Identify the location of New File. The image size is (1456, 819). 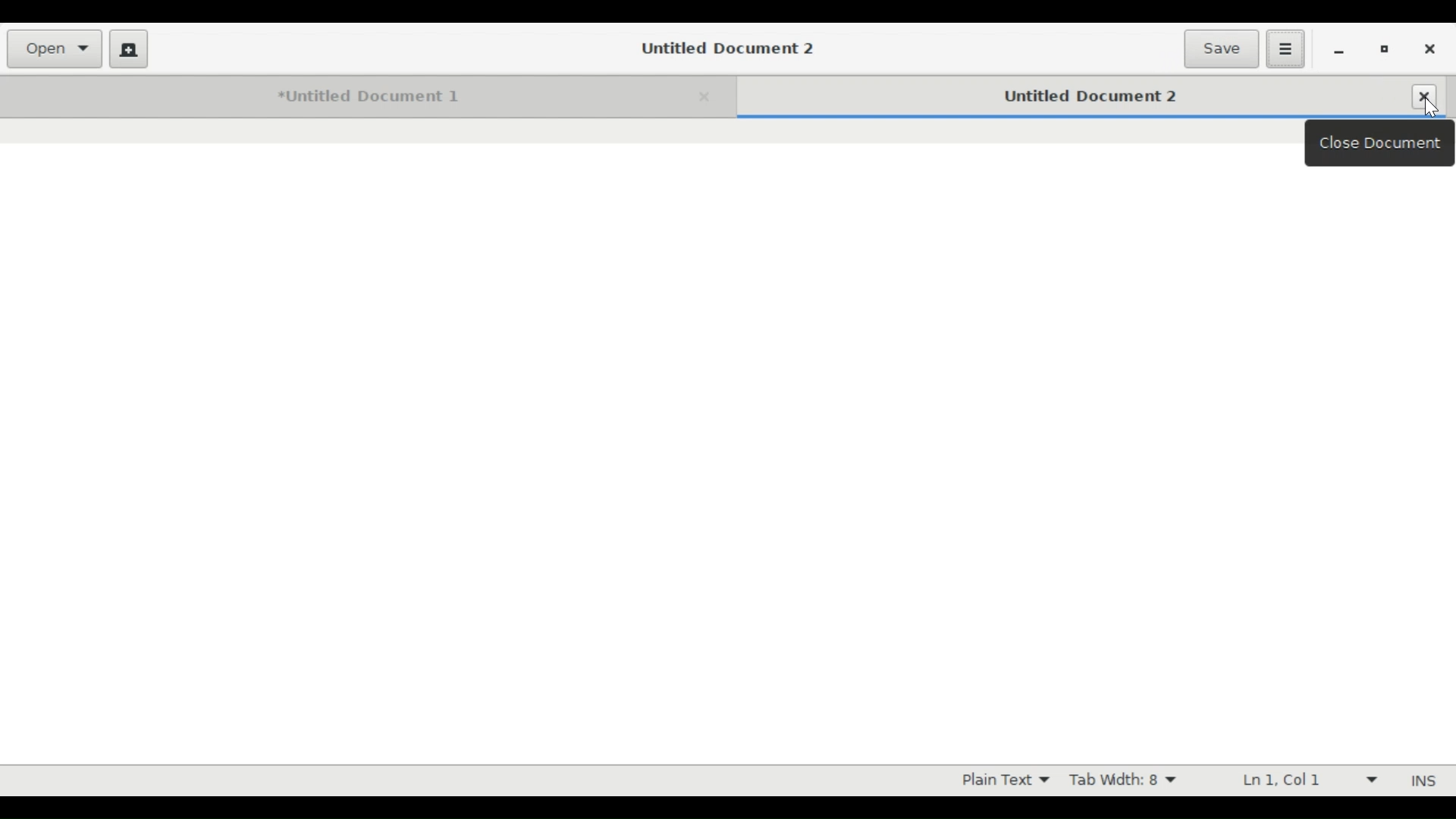
(128, 48).